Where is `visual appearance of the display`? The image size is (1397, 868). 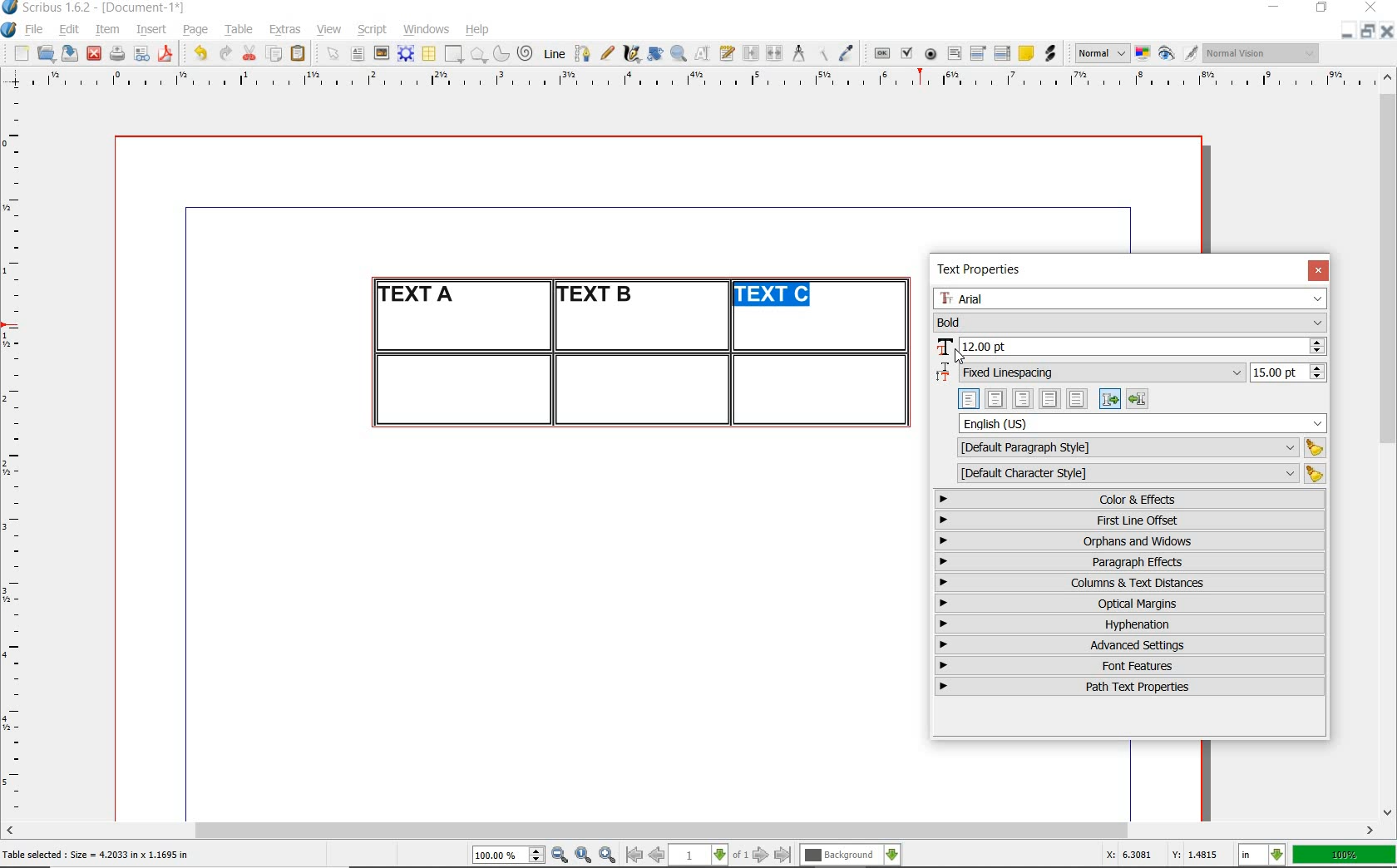
visual appearance of the display is located at coordinates (1262, 53).